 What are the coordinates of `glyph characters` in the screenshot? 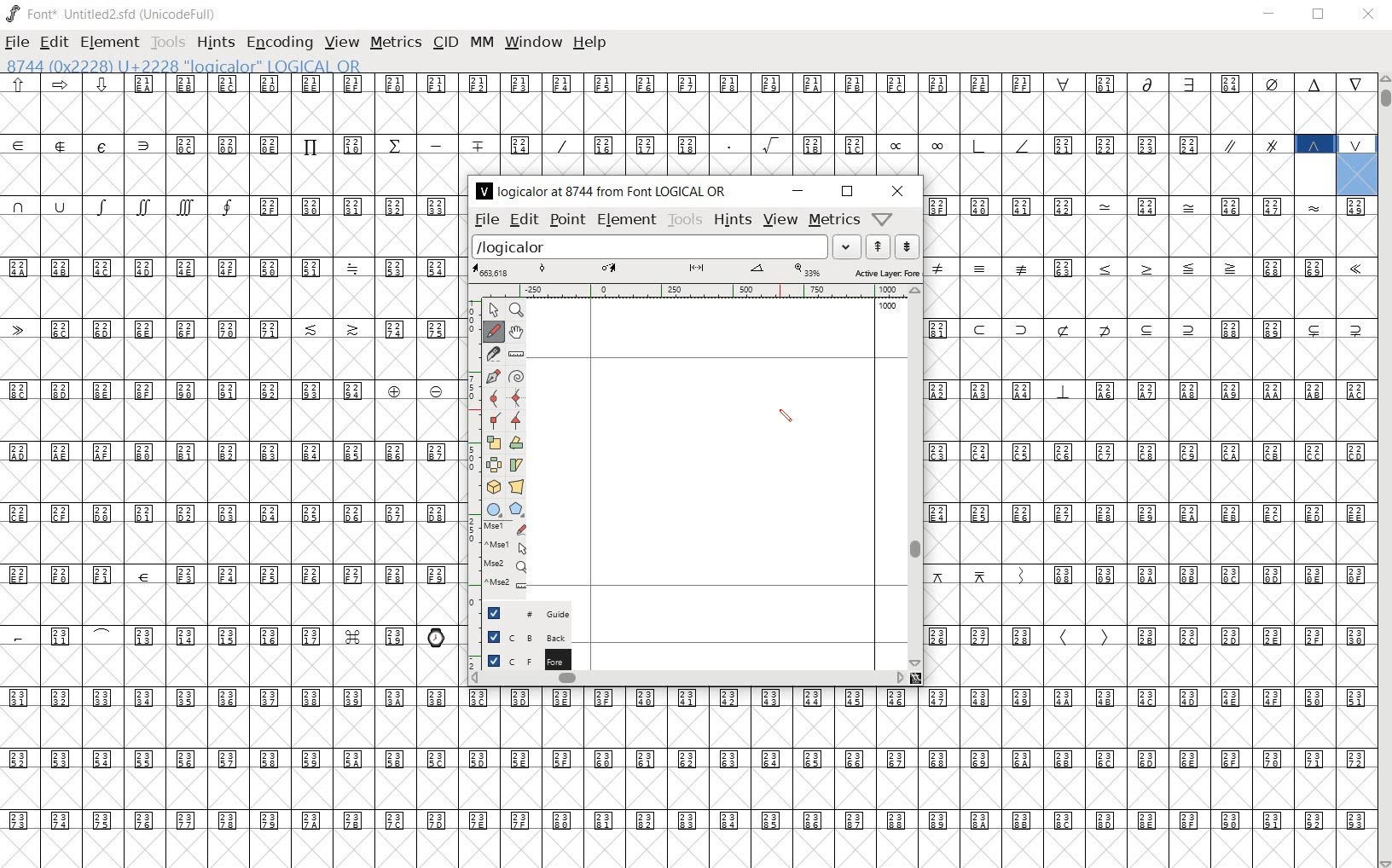 It's located at (1151, 501).